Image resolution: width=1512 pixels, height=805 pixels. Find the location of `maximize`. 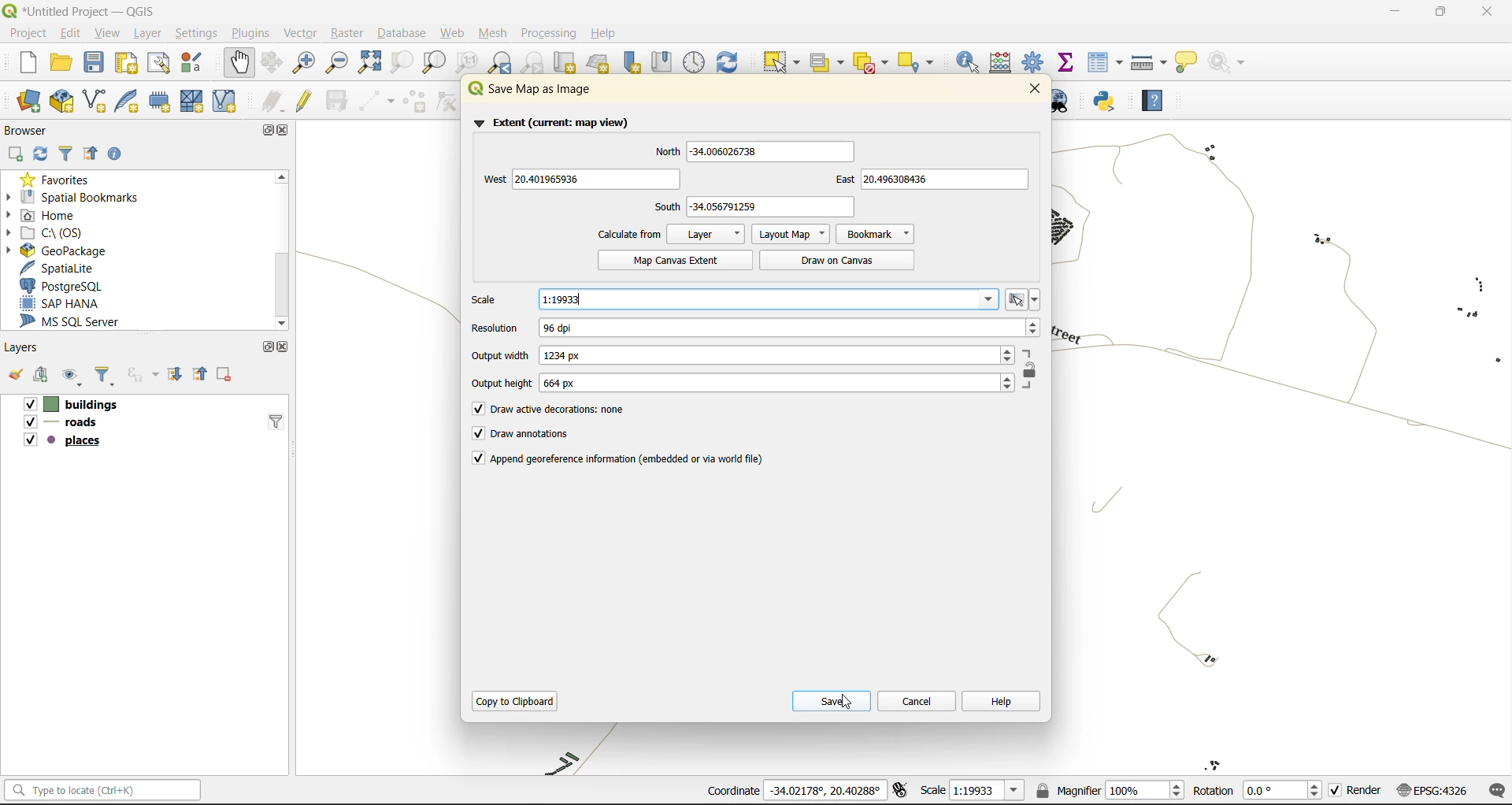

maximize is located at coordinates (1441, 12).